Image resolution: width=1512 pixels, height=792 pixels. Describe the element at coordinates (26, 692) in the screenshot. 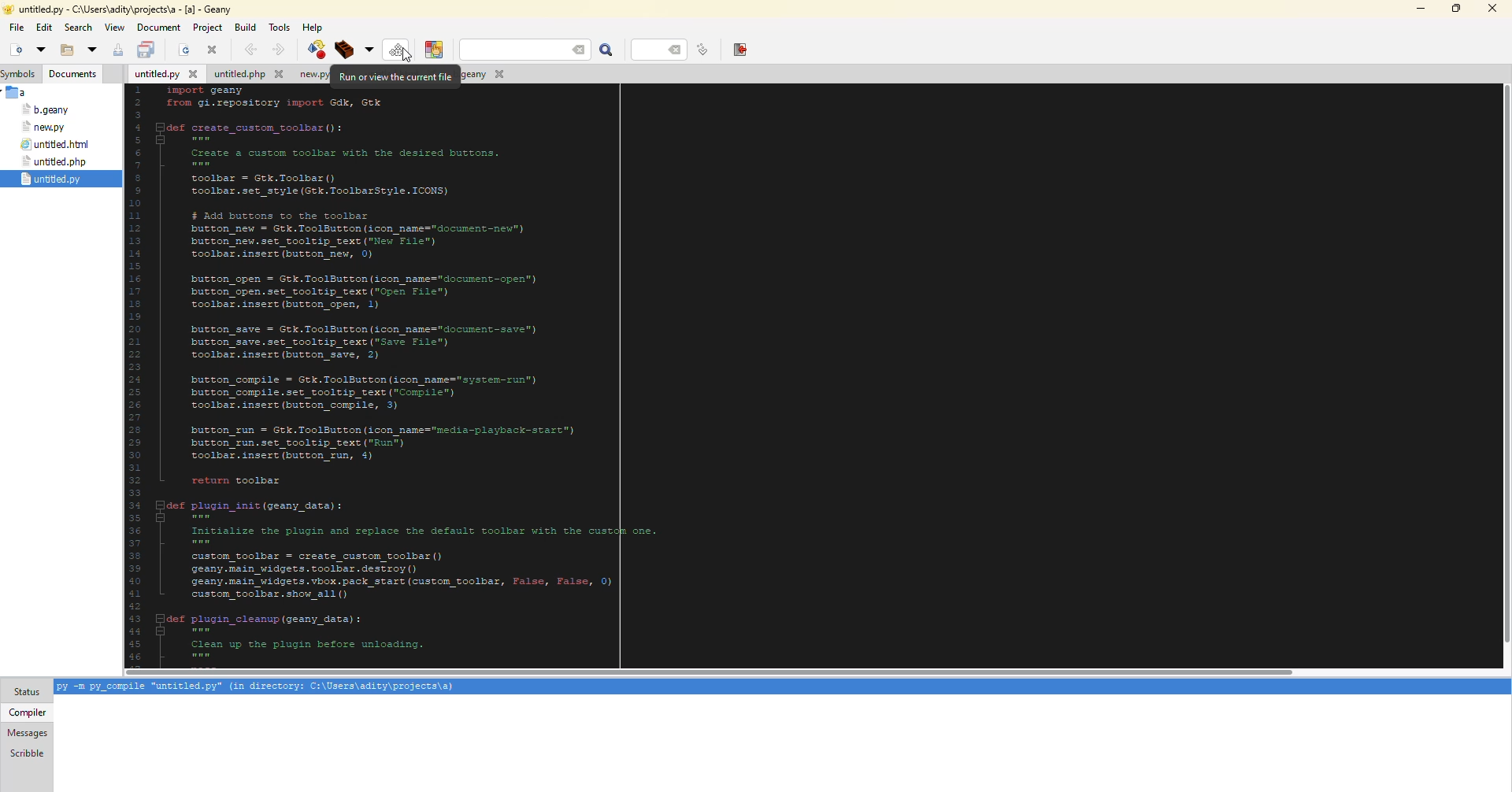

I see `status` at that location.